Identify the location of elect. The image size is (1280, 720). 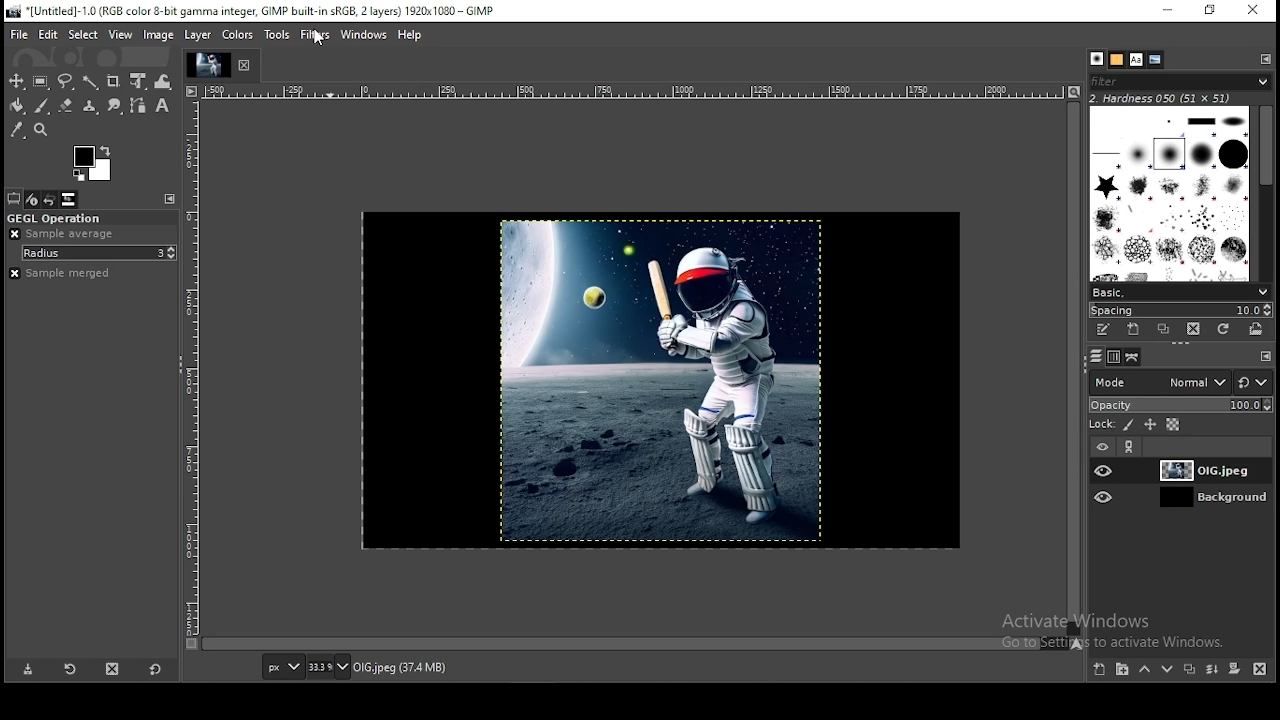
(83, 34).